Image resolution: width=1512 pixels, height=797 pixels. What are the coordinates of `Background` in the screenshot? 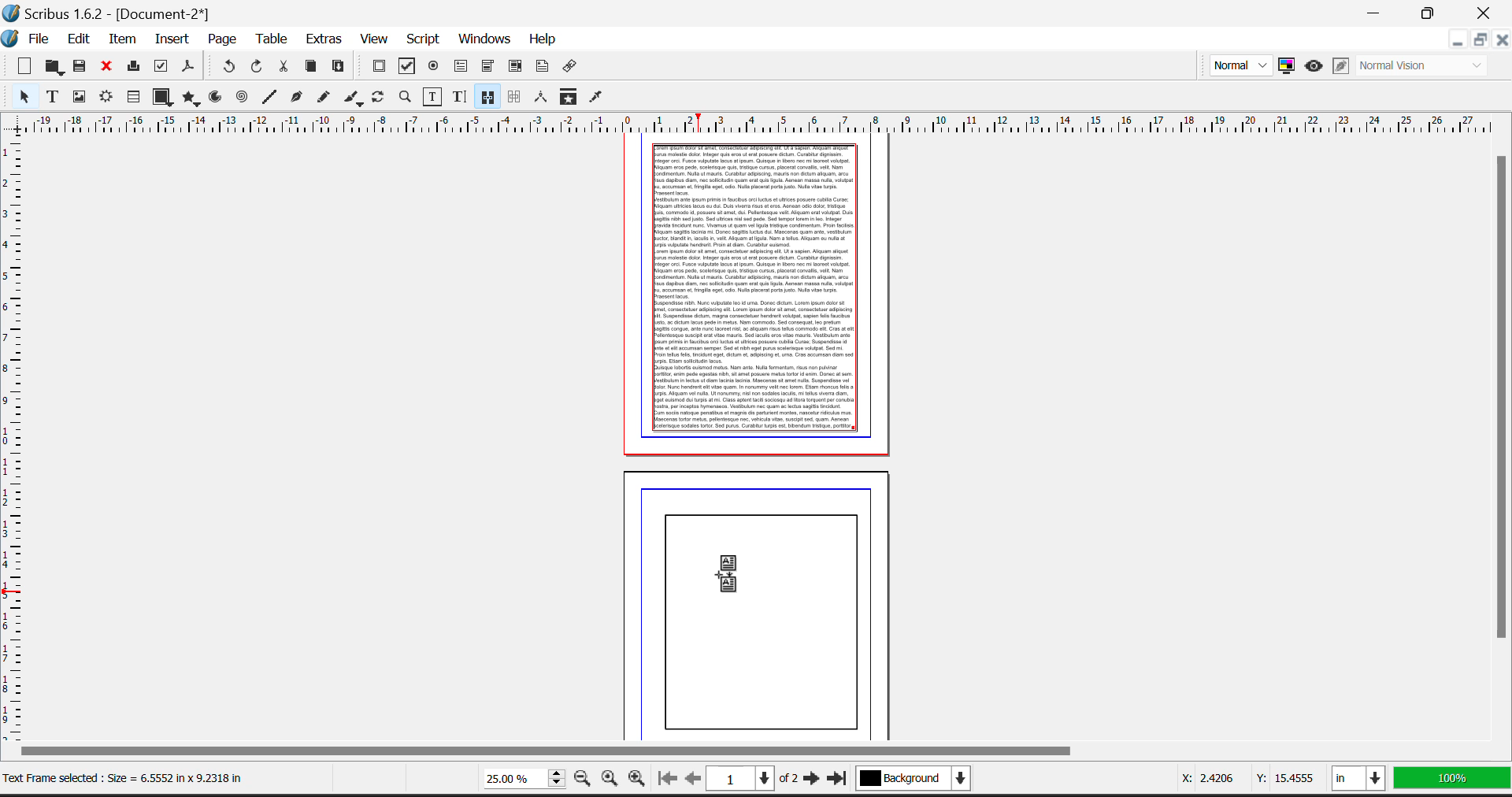 It's located at (925, 781).